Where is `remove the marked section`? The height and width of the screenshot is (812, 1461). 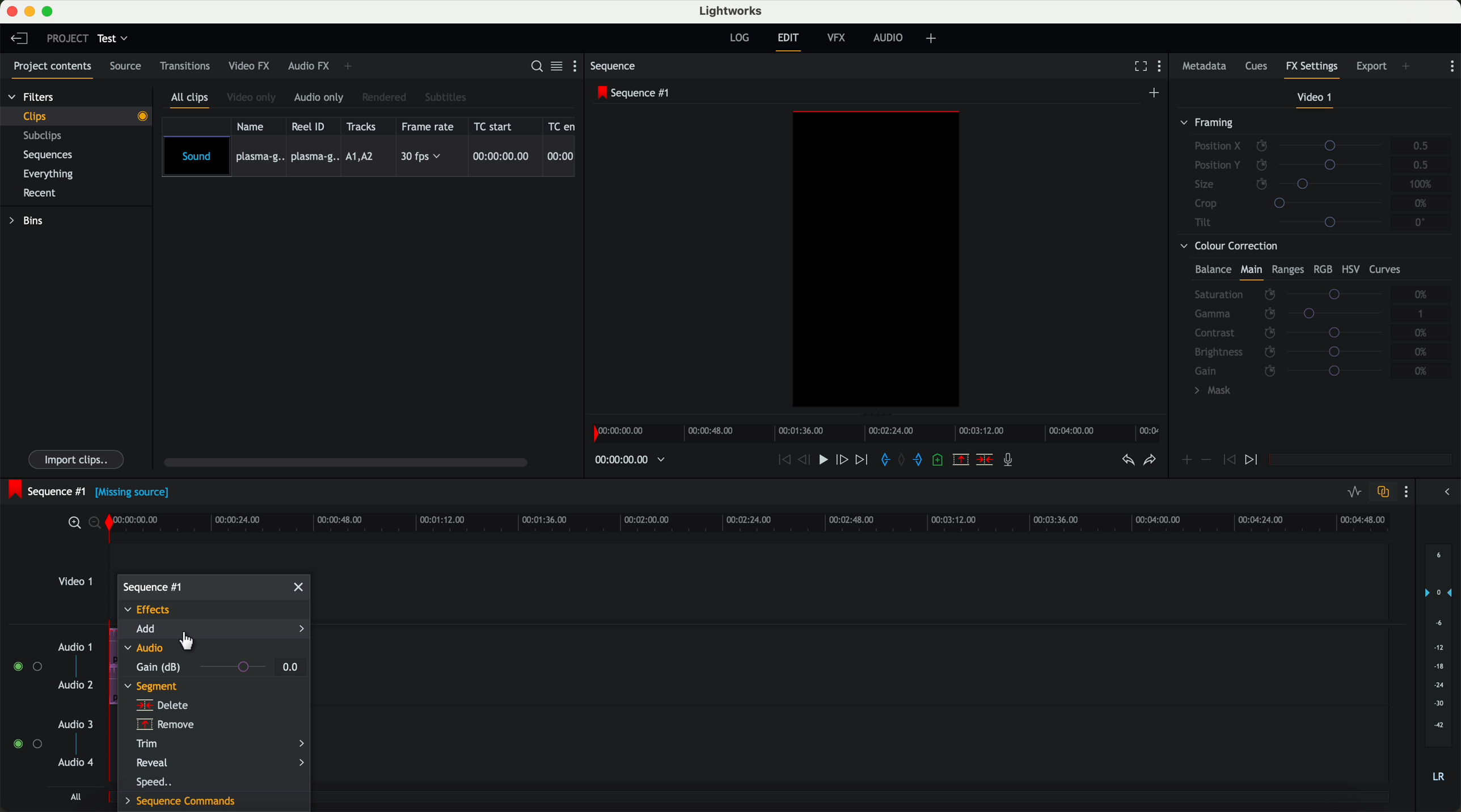 remove the marked section is located at coordinates (961, 460).